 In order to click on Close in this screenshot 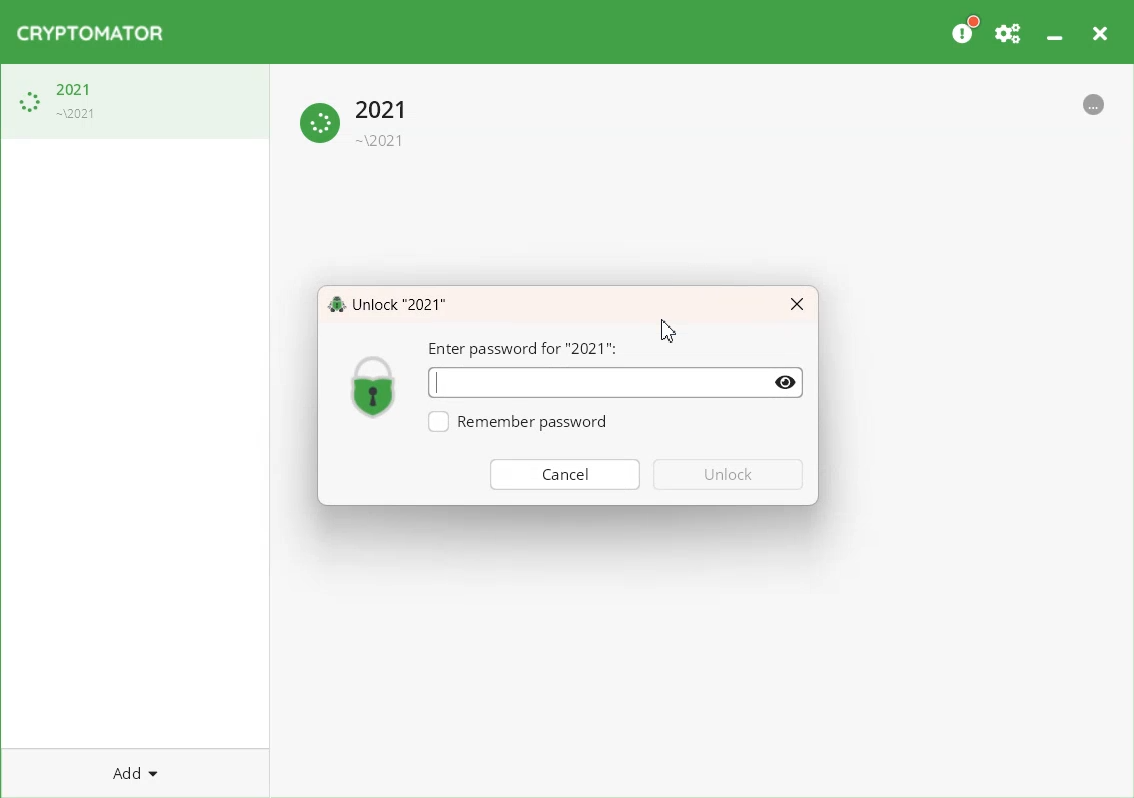, I will do `click(1099, 30)`.